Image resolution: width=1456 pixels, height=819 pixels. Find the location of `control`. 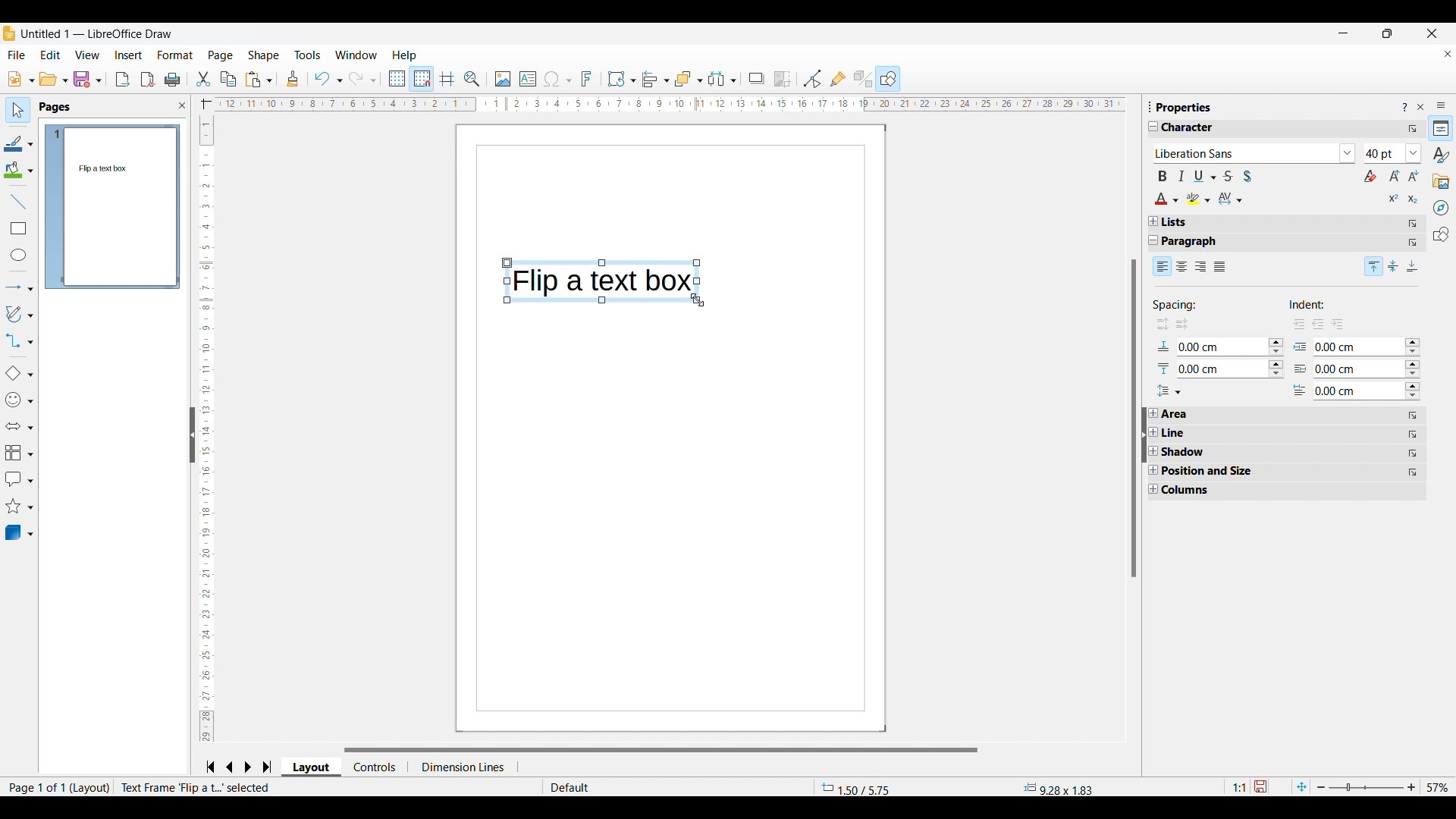

control is located at coordinates (378, 766).